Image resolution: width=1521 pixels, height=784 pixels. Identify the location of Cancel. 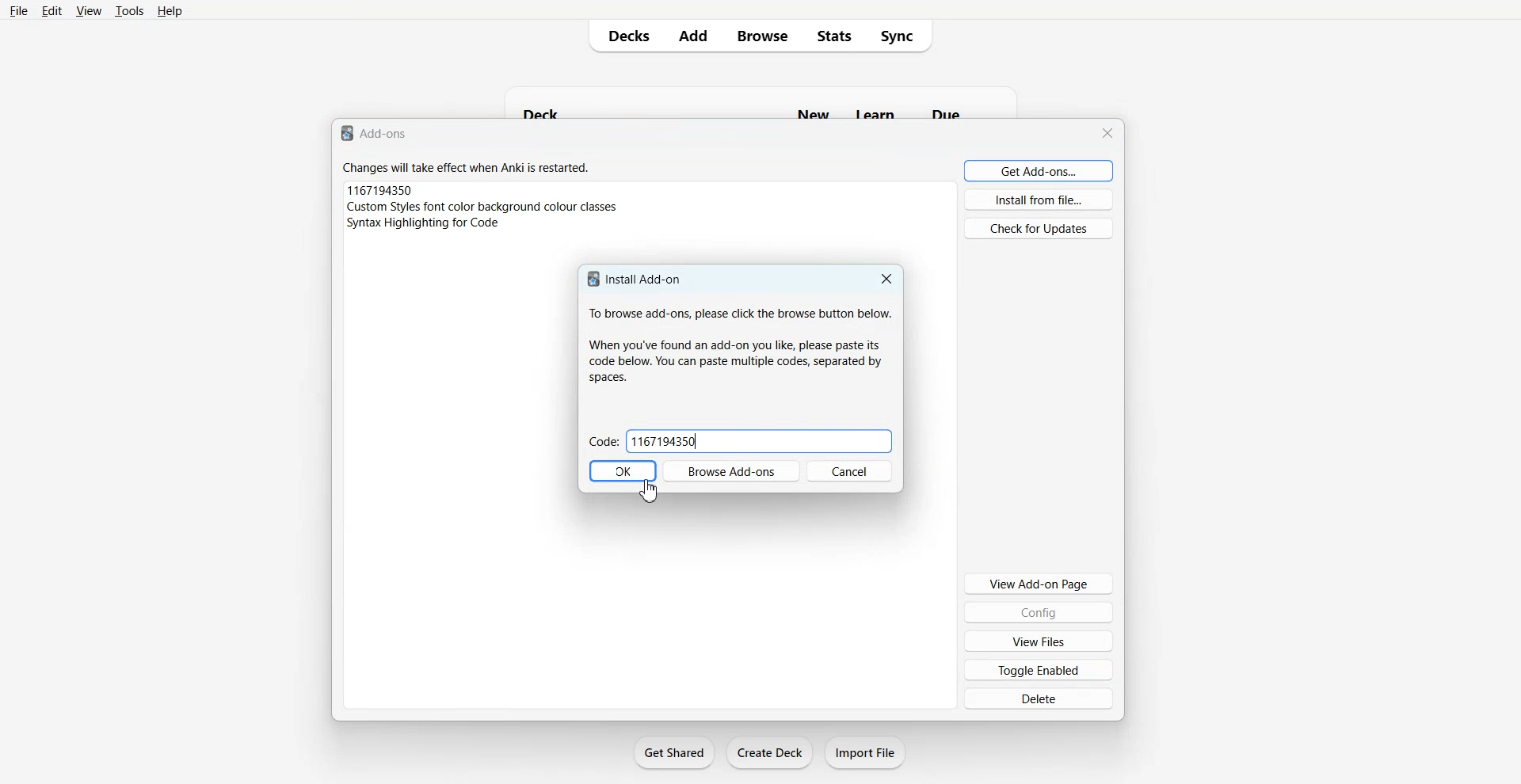
(851, 470).